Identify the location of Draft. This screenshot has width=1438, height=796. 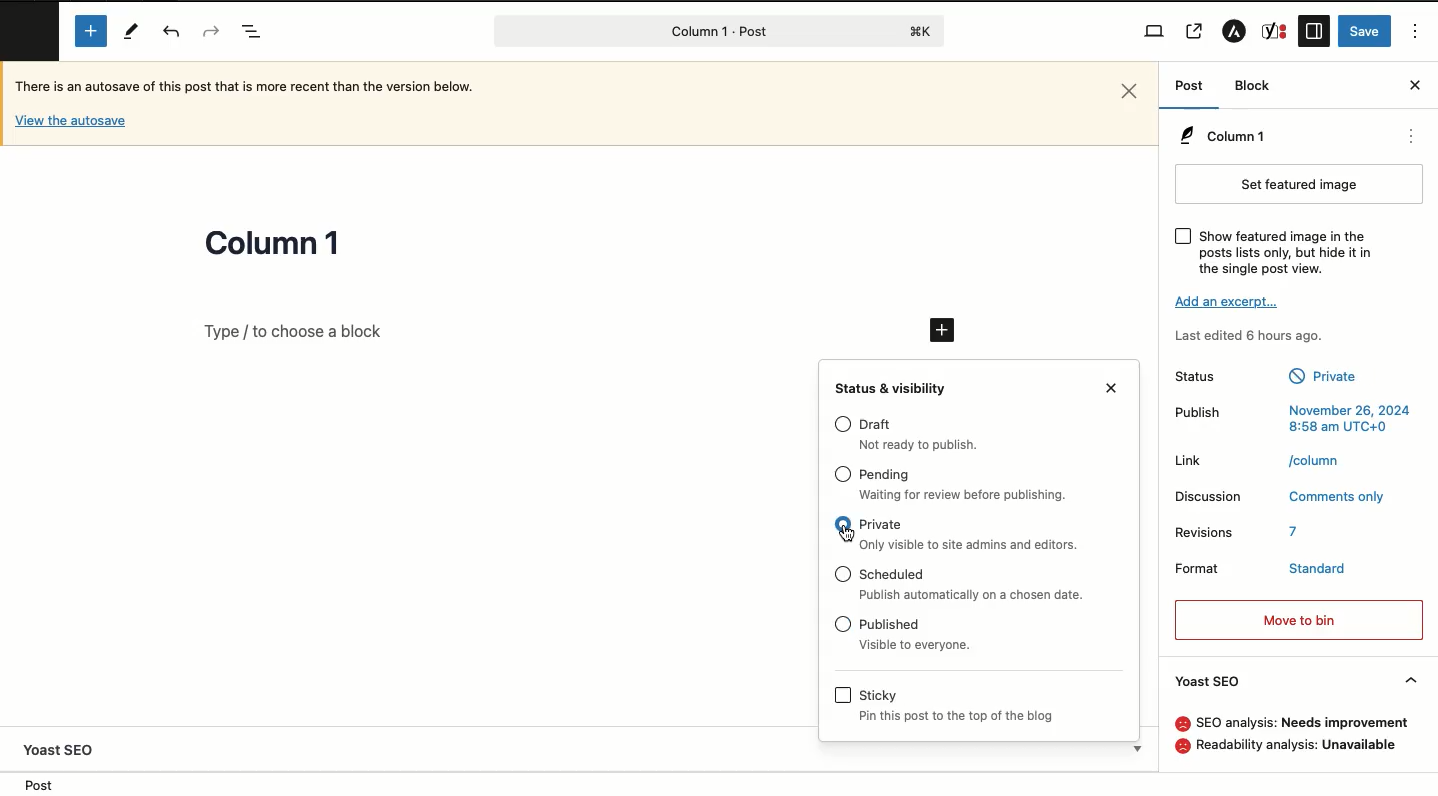
(926, 445).